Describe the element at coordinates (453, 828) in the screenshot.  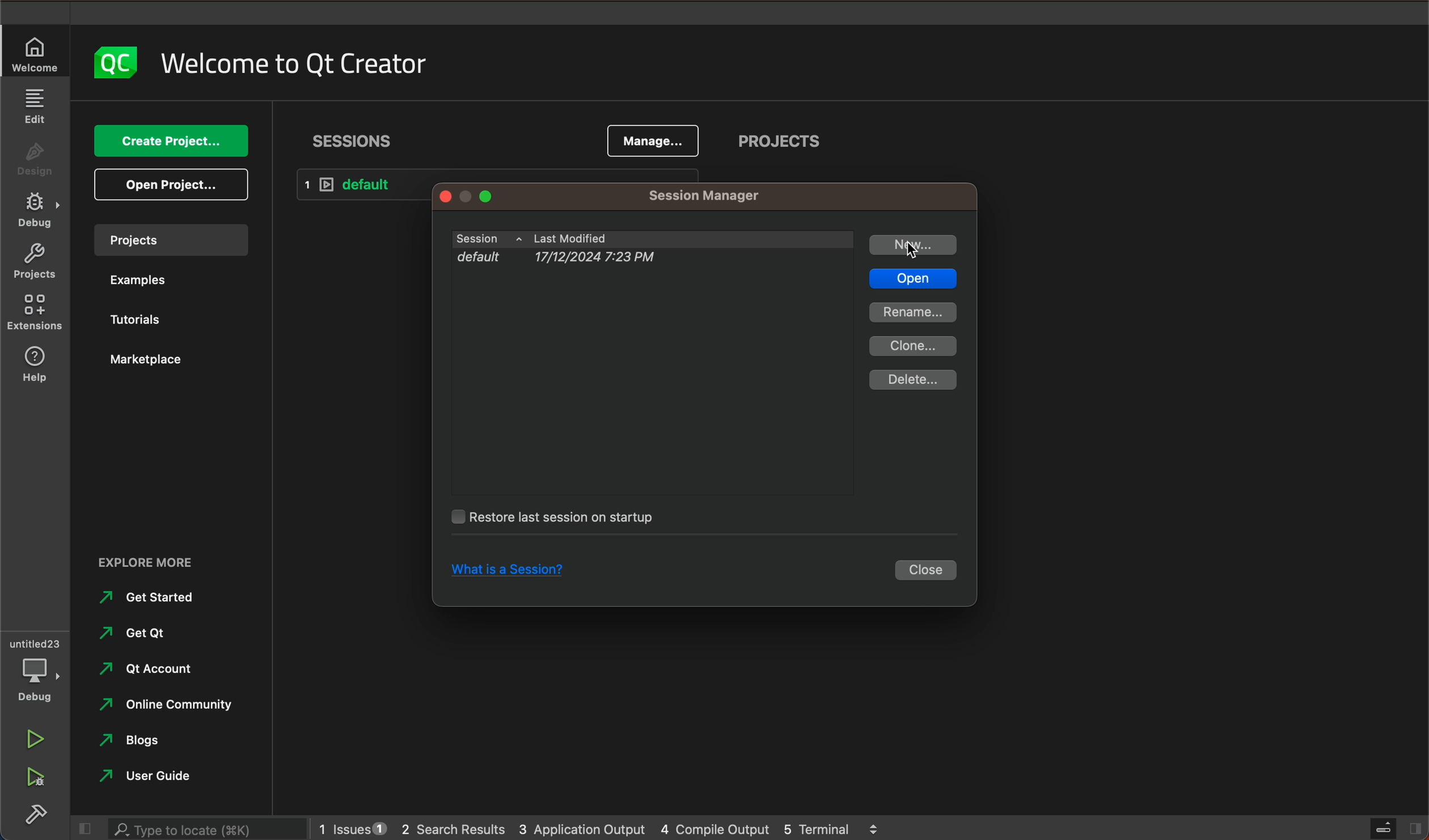
I see `search results` at that location.